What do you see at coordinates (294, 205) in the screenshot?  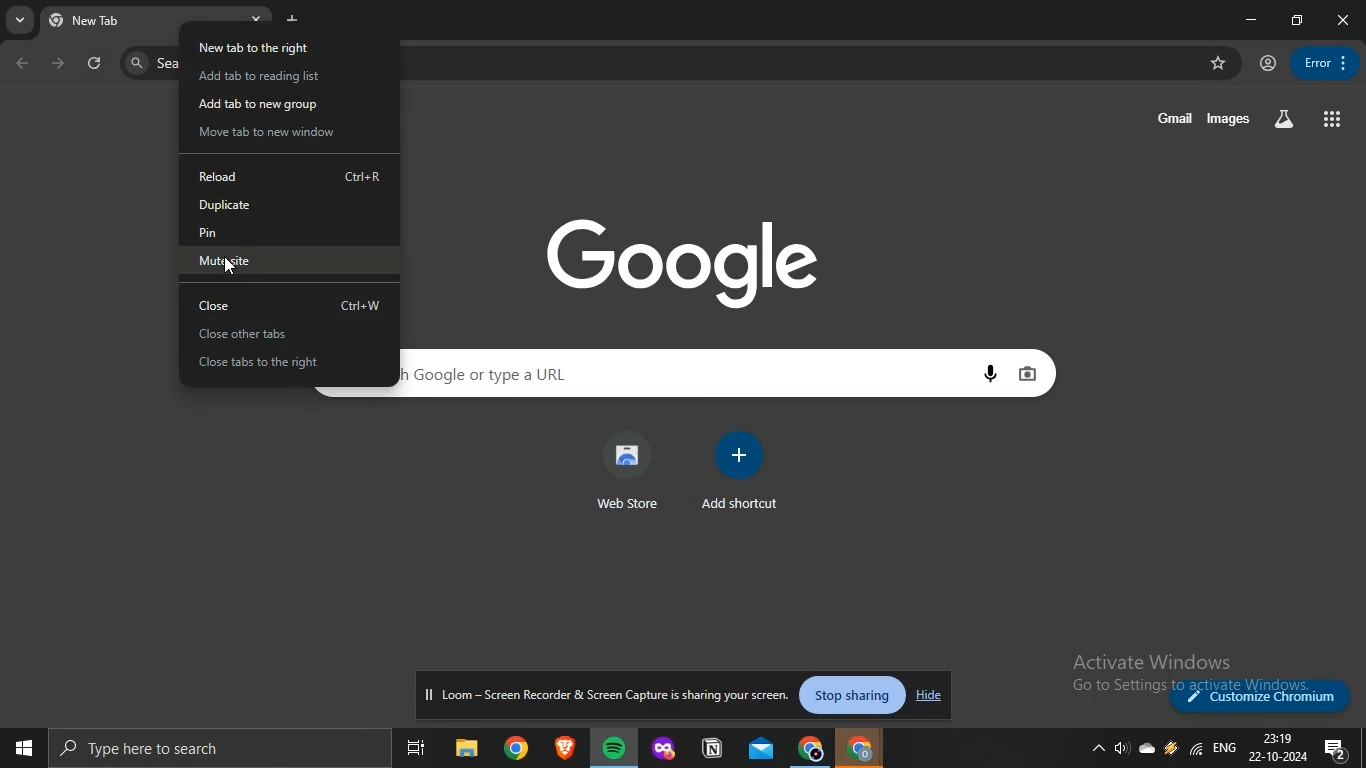 I see `duplicate` at bounding box center [294, 205].